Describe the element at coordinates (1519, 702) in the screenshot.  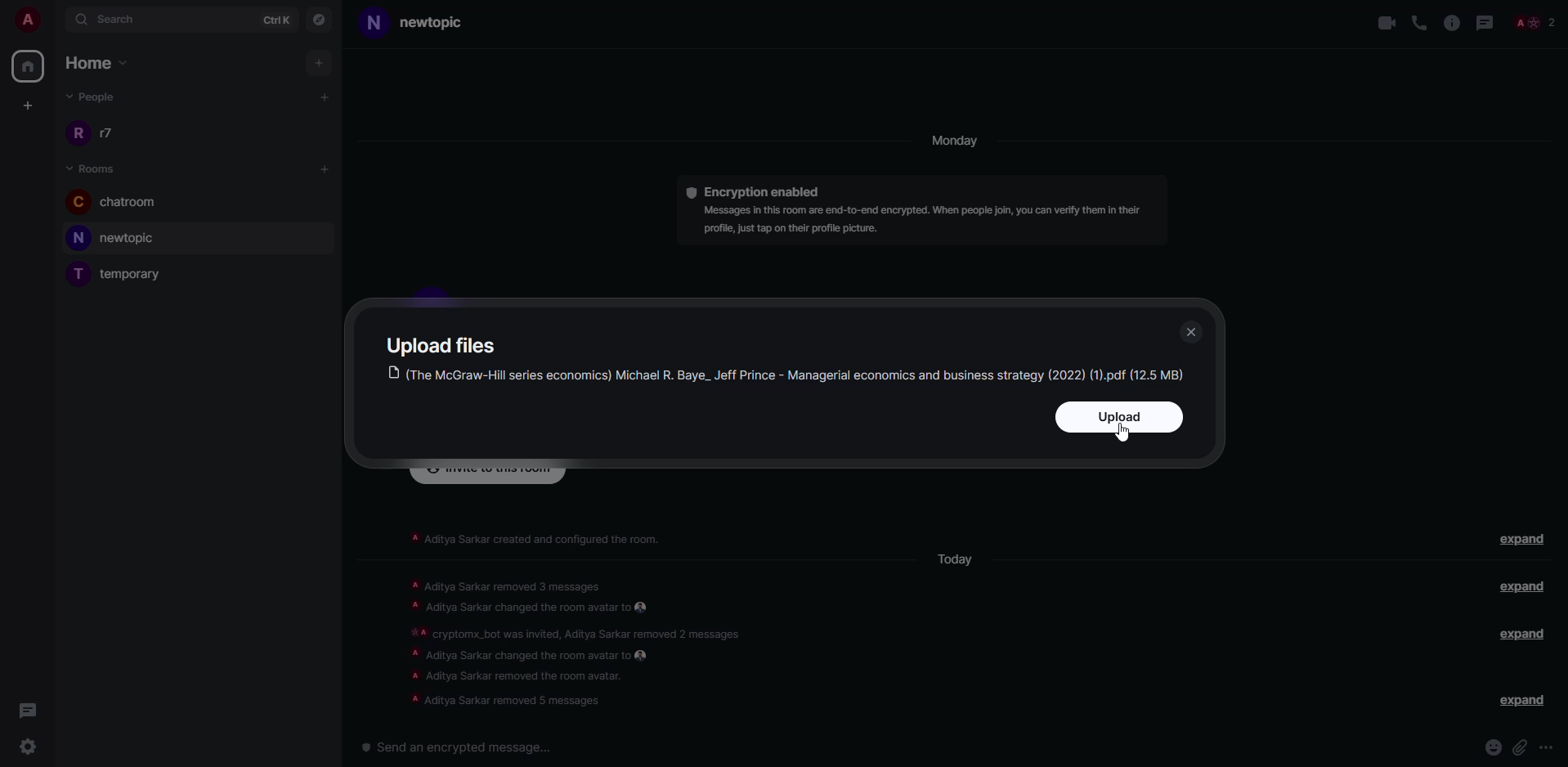
I see `expand` at that location.